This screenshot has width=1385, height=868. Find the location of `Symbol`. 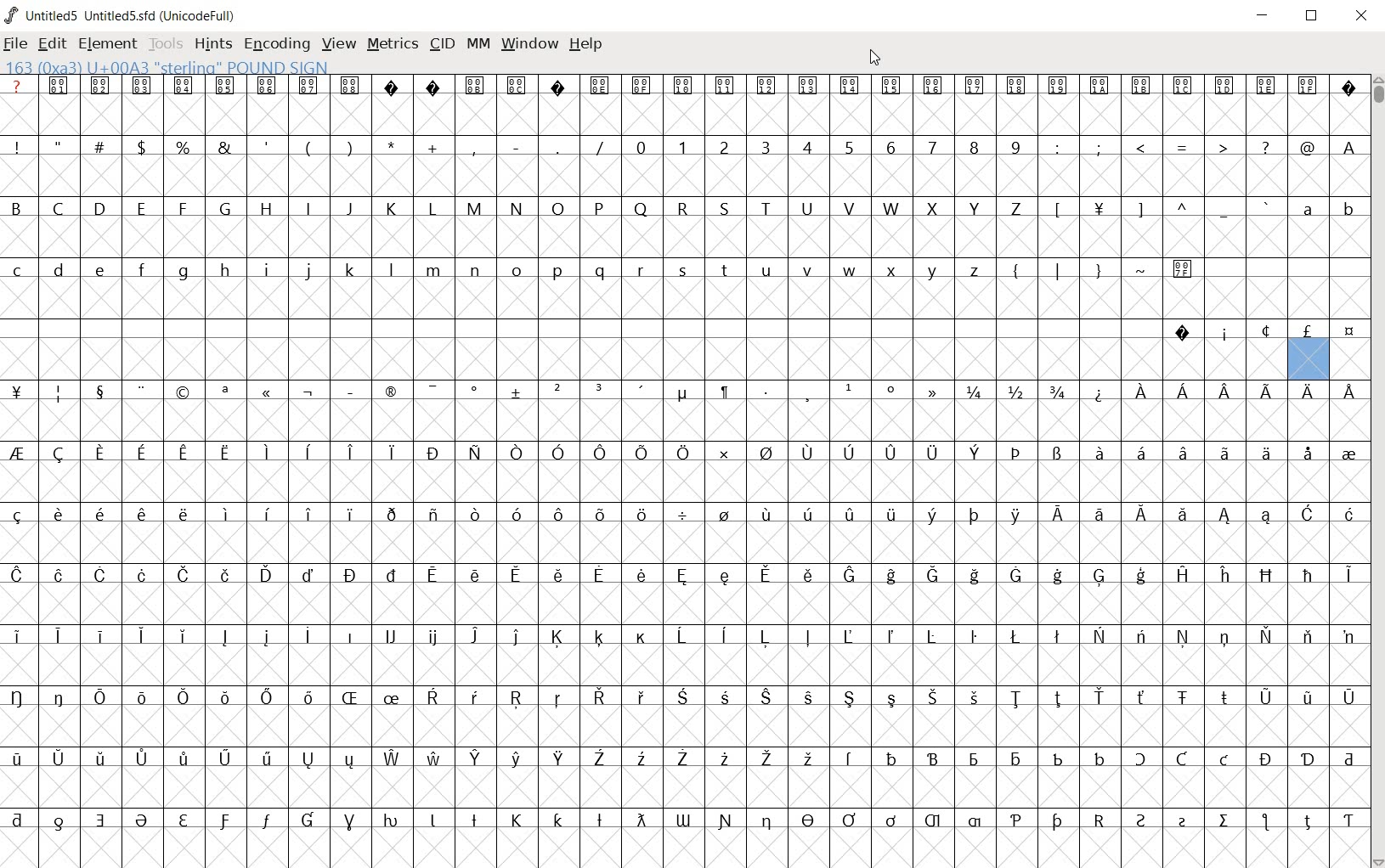

Symbol is located at coordinates (1224, 332).